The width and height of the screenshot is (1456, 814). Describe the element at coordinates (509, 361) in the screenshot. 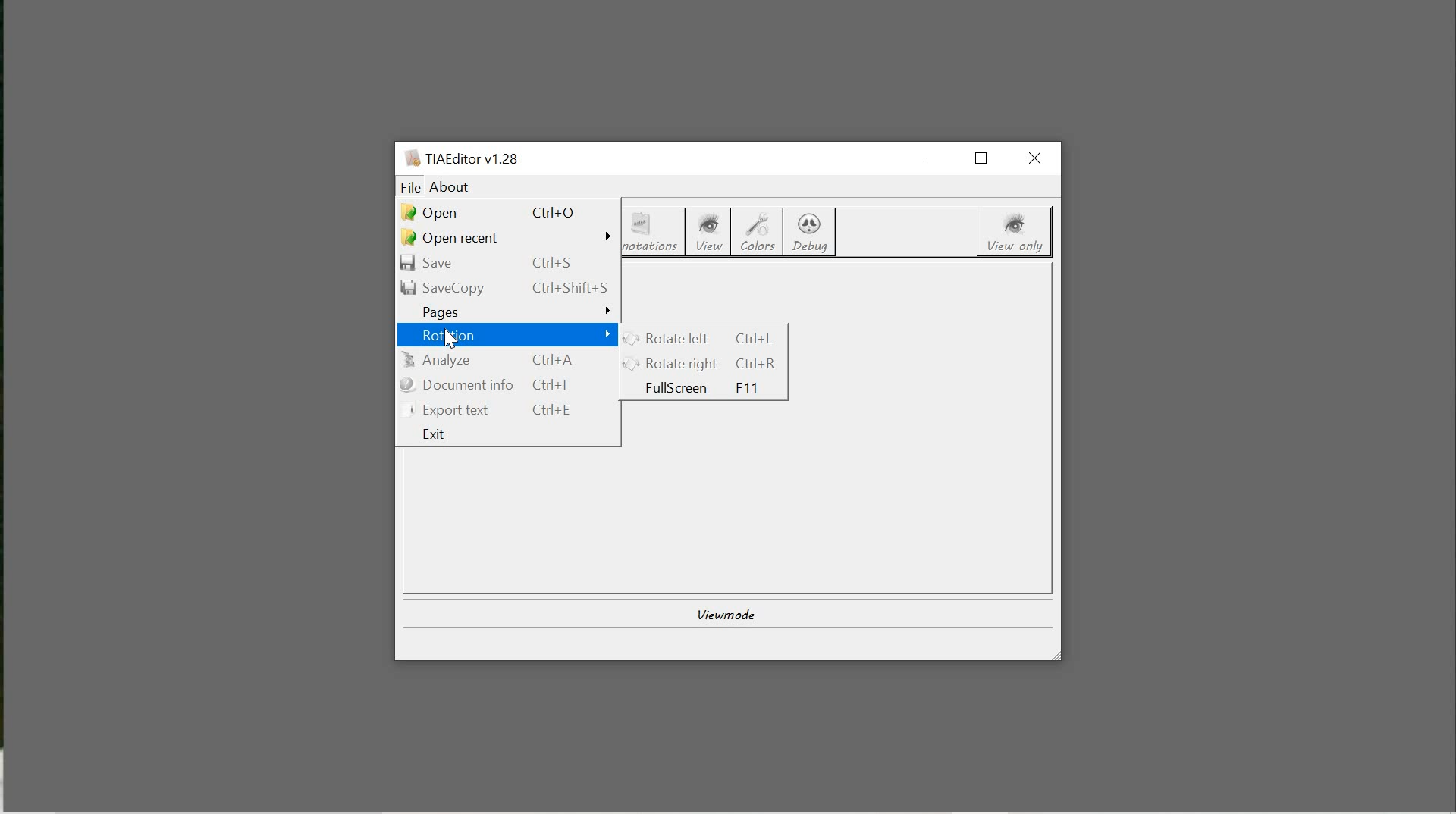

I see `analyze` at that location.